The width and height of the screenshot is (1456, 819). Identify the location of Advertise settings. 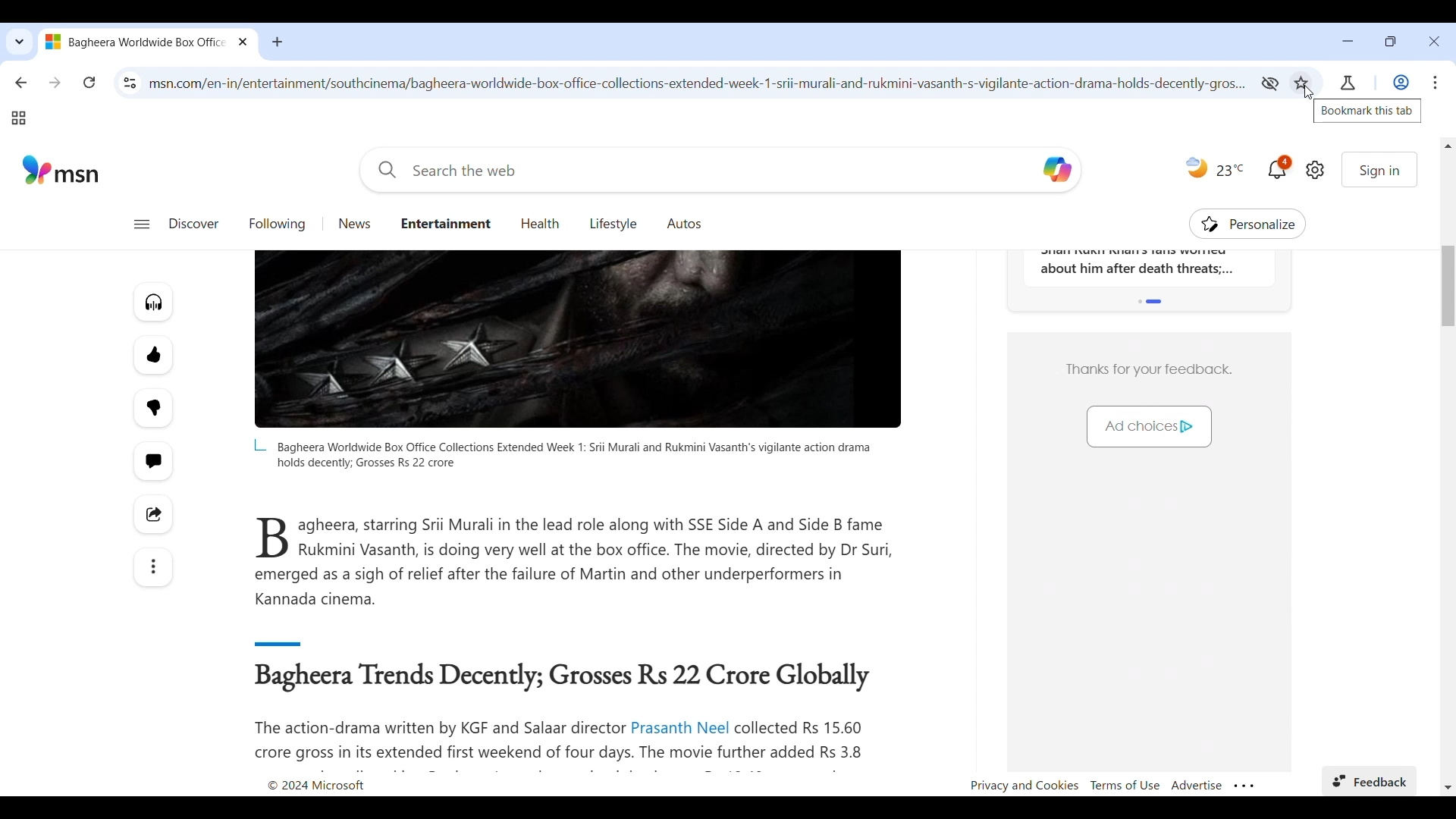
(1197, 785).